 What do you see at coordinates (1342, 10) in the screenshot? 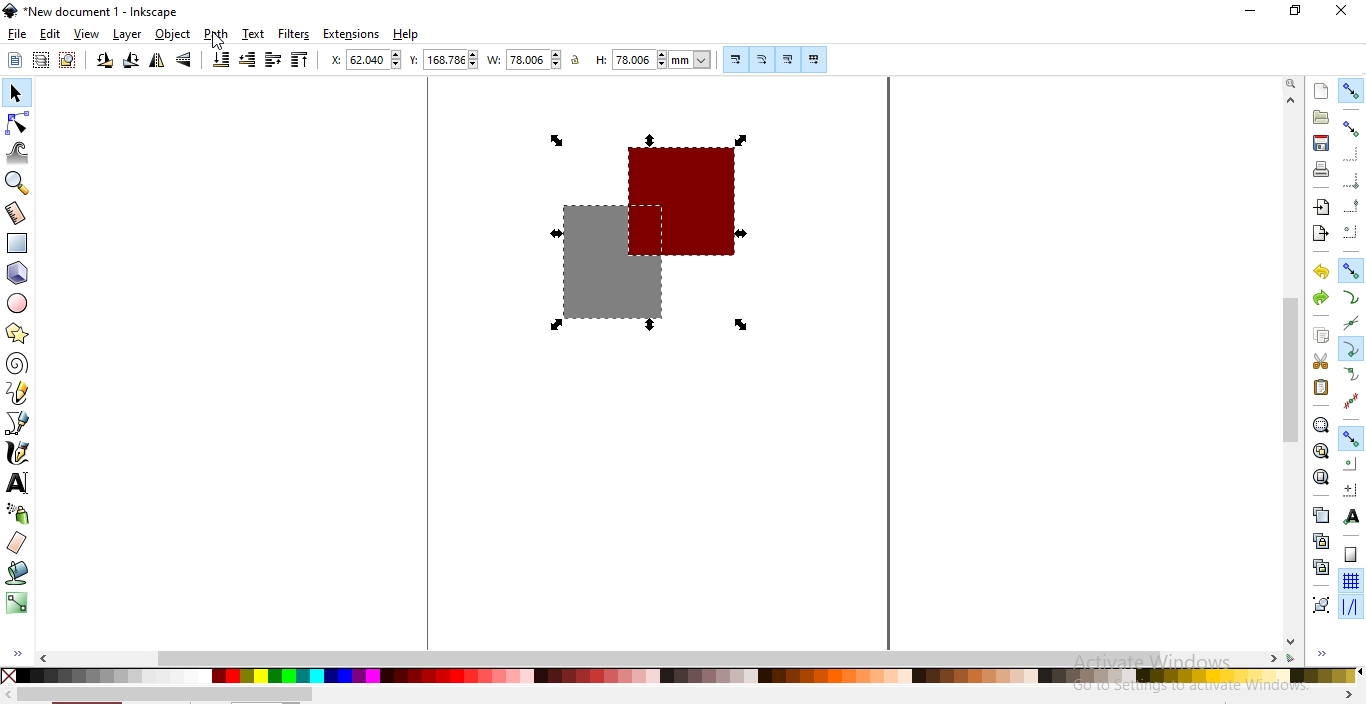
I see `close` at bounding box center [1342, 10].